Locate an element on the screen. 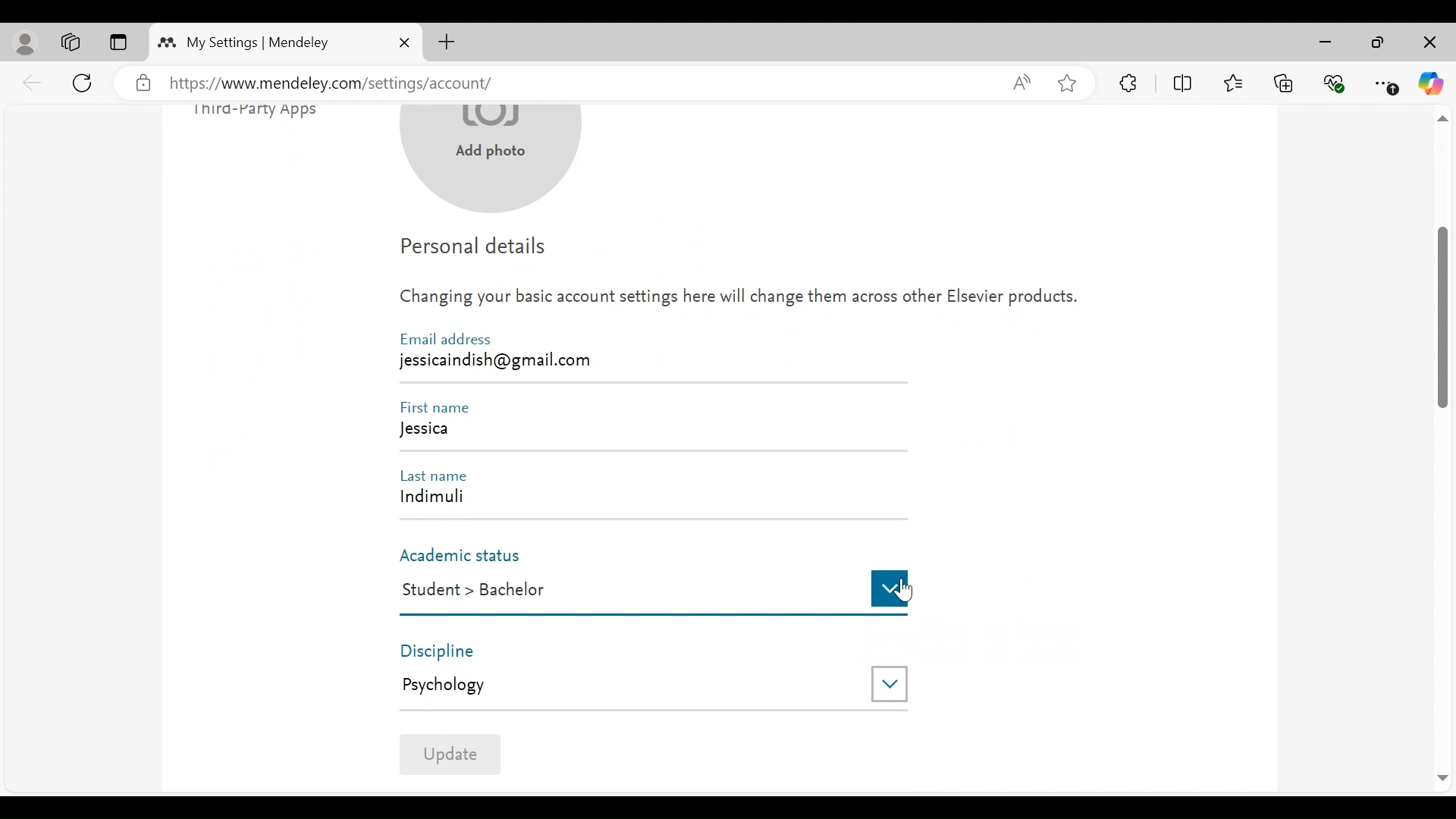  Workspaces is located at coordinates (71, 42).